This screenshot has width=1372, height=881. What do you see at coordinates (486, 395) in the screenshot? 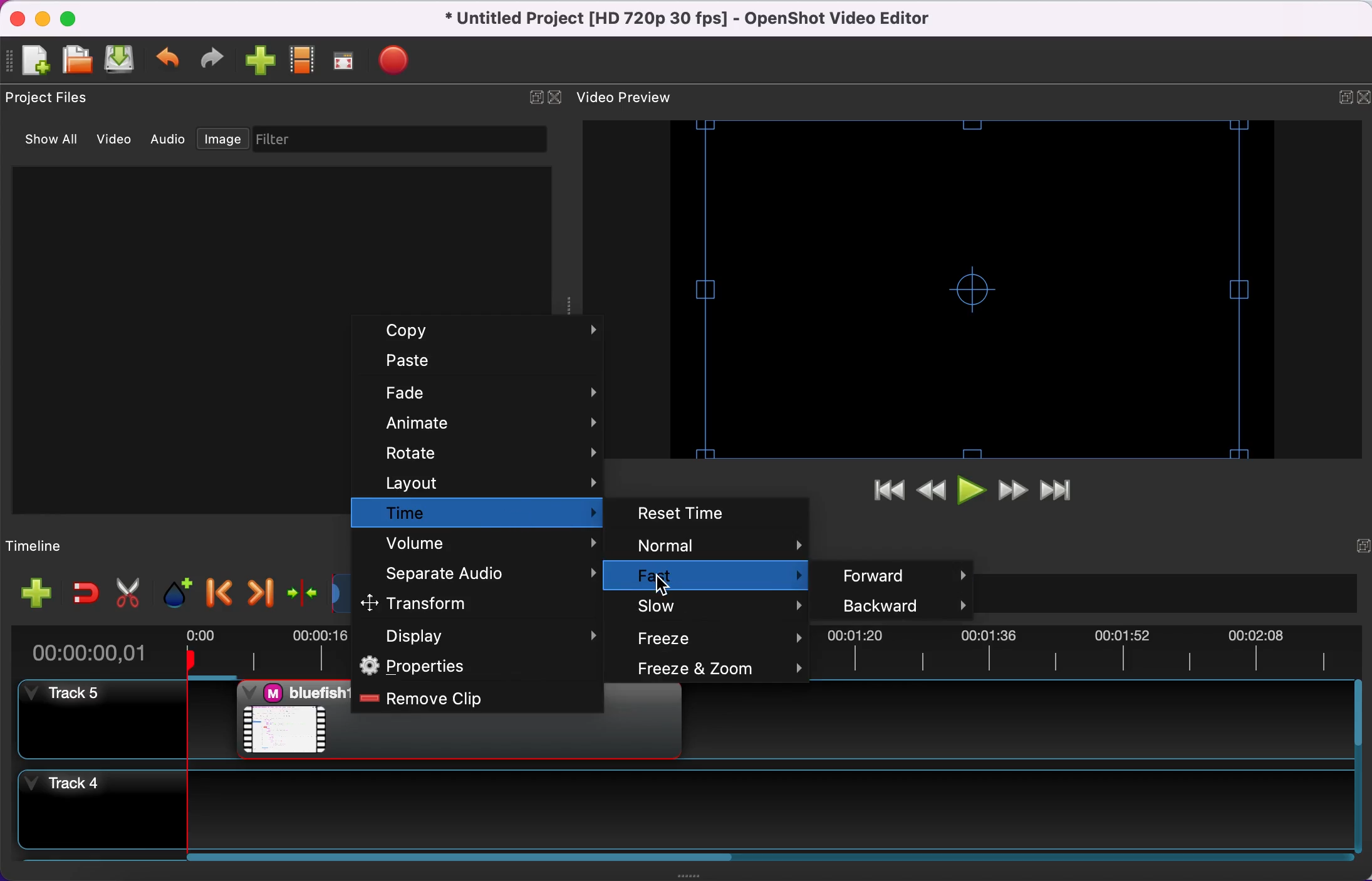
I see `fade` at bounding box center [486, 395].